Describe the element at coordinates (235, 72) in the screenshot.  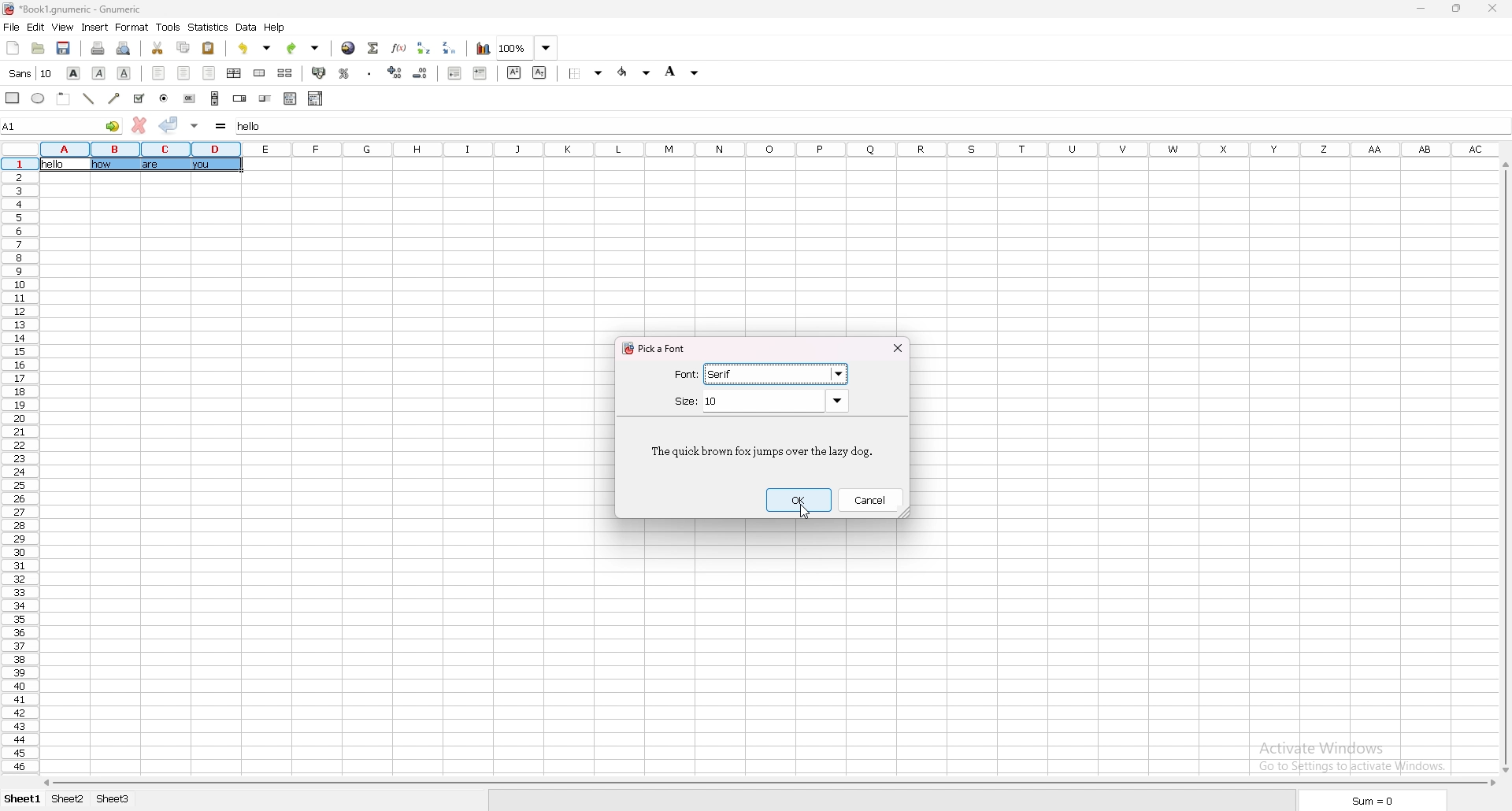
I see `centre horizontally` at that location.